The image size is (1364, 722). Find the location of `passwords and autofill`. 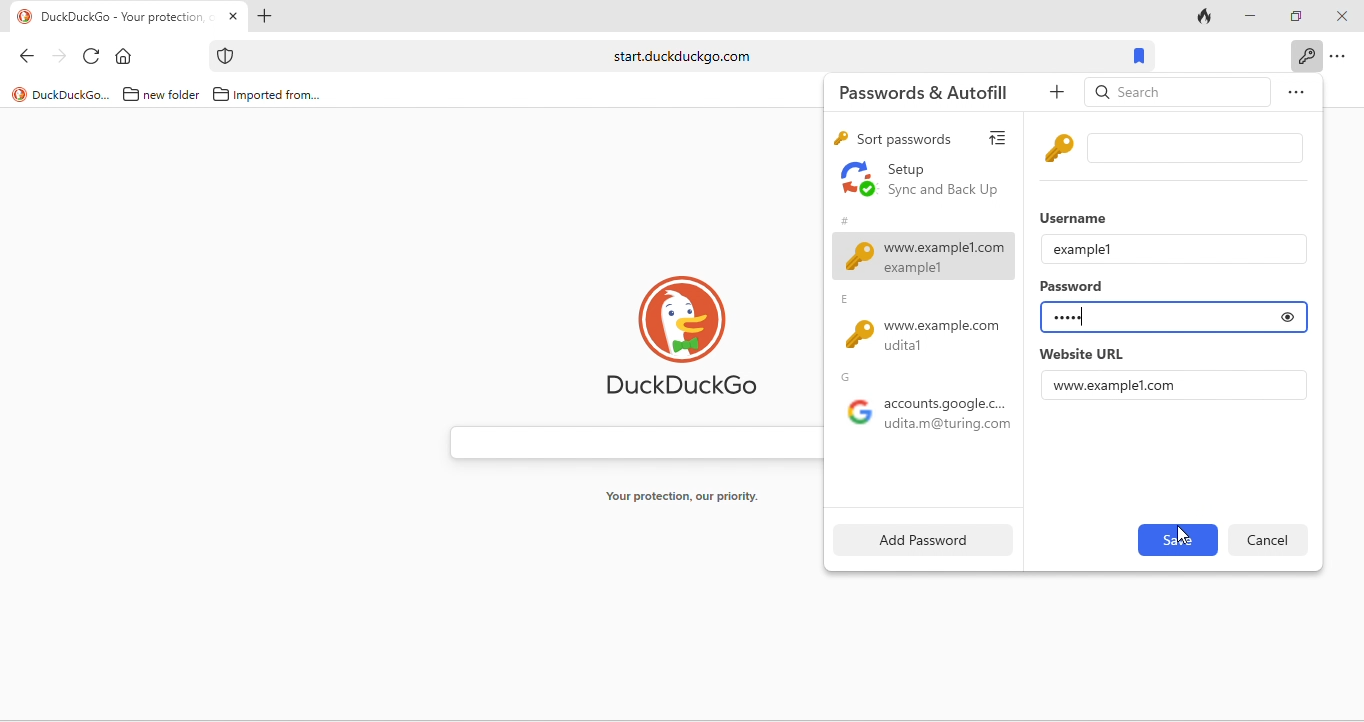

passwords and autofill is located at coordinates (936, 91).